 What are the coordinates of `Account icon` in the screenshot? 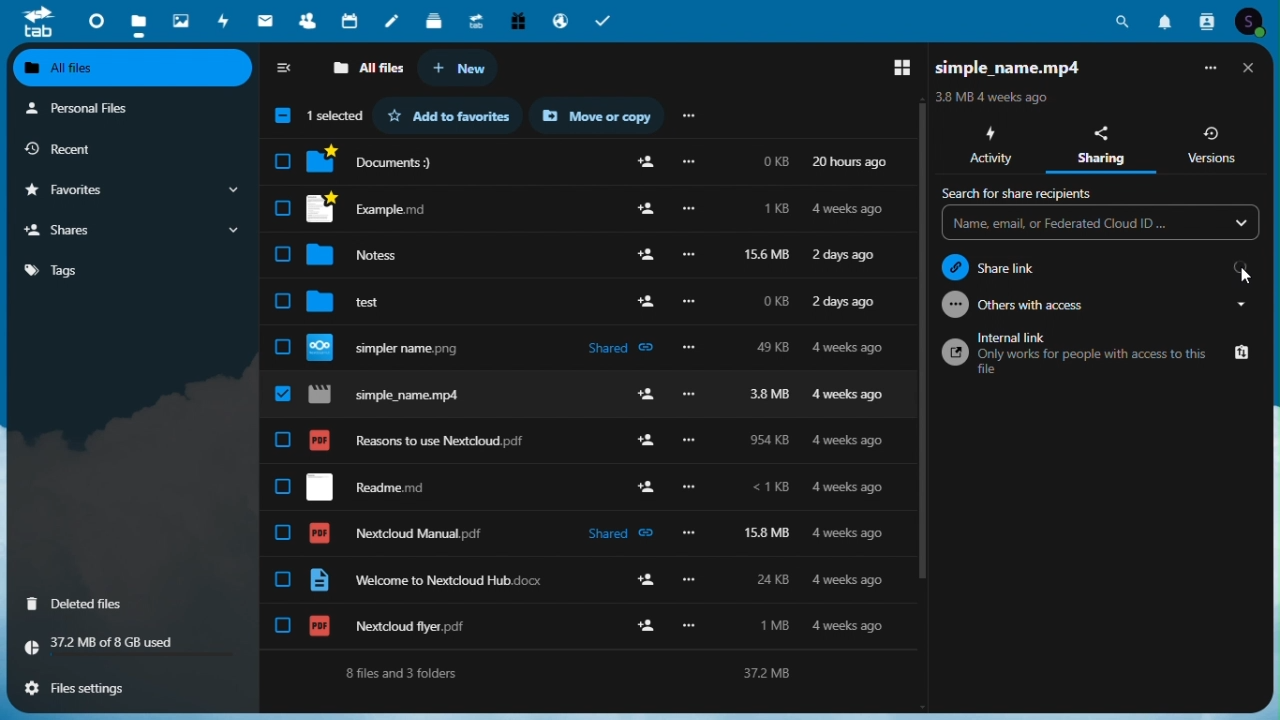 It's located at (1253, 22).